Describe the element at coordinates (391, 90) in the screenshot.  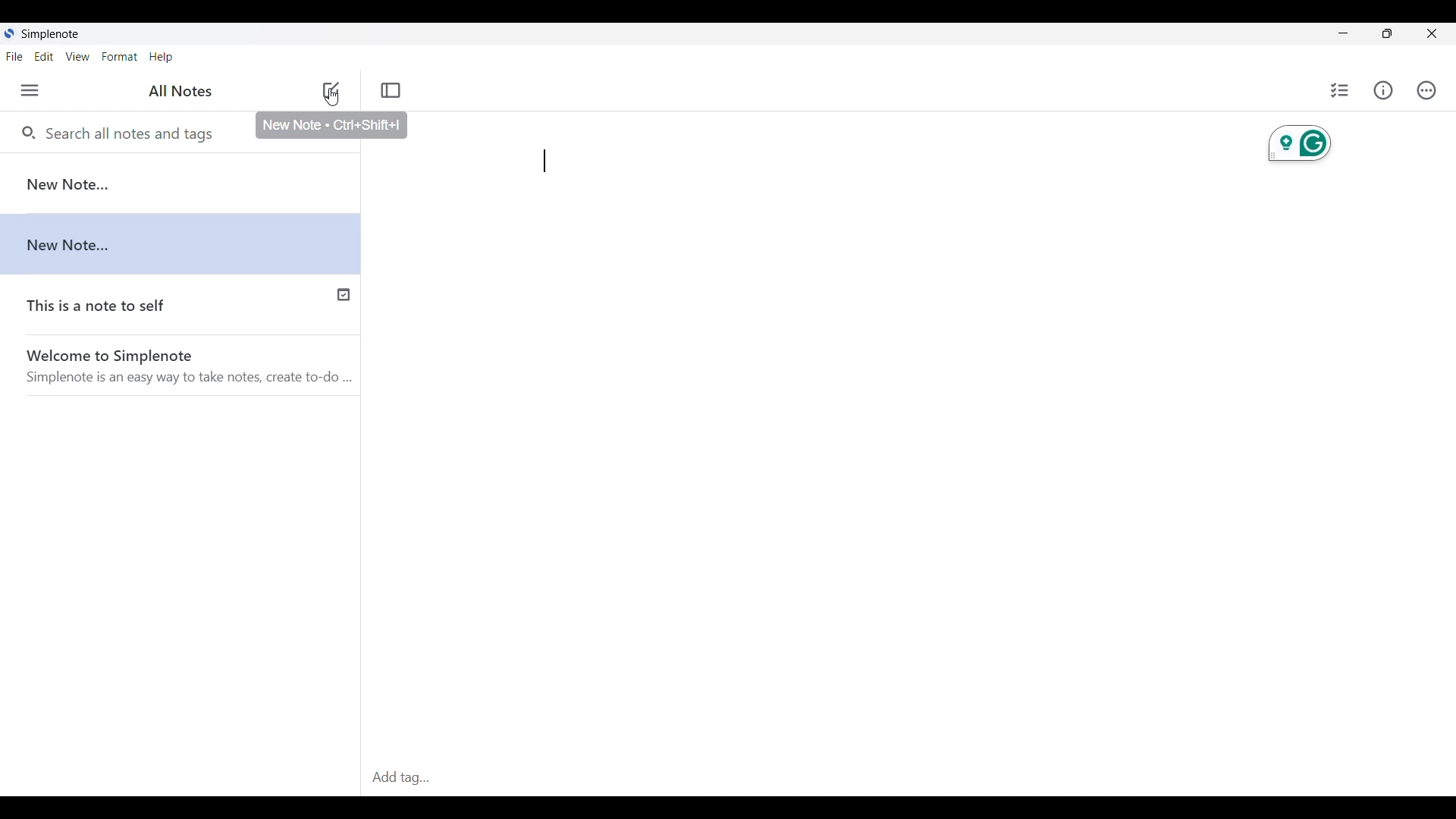
I see `Toggle focus mode` at that location.